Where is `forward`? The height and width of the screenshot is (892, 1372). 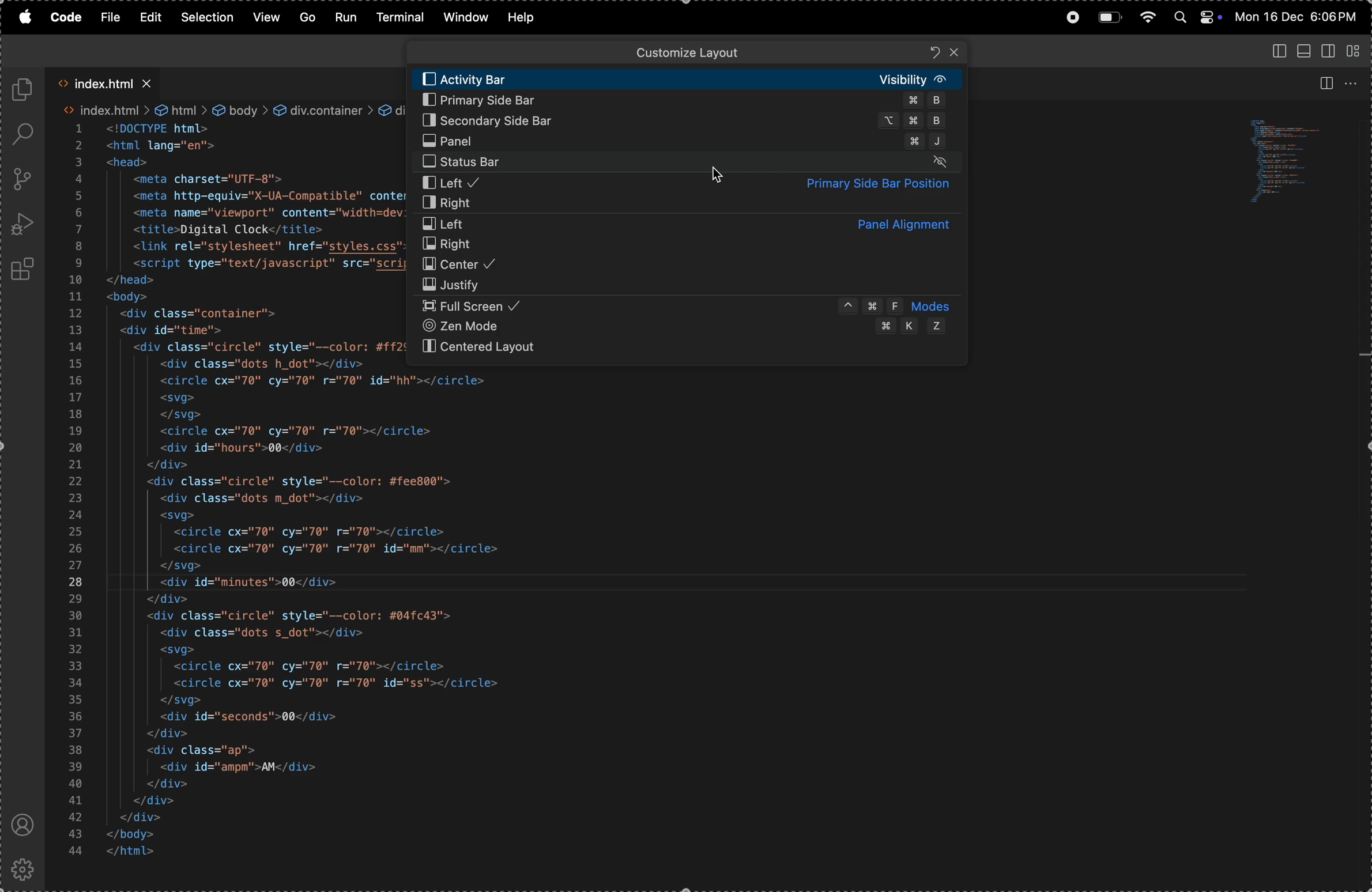
forward is located at coordinates (430, 51).